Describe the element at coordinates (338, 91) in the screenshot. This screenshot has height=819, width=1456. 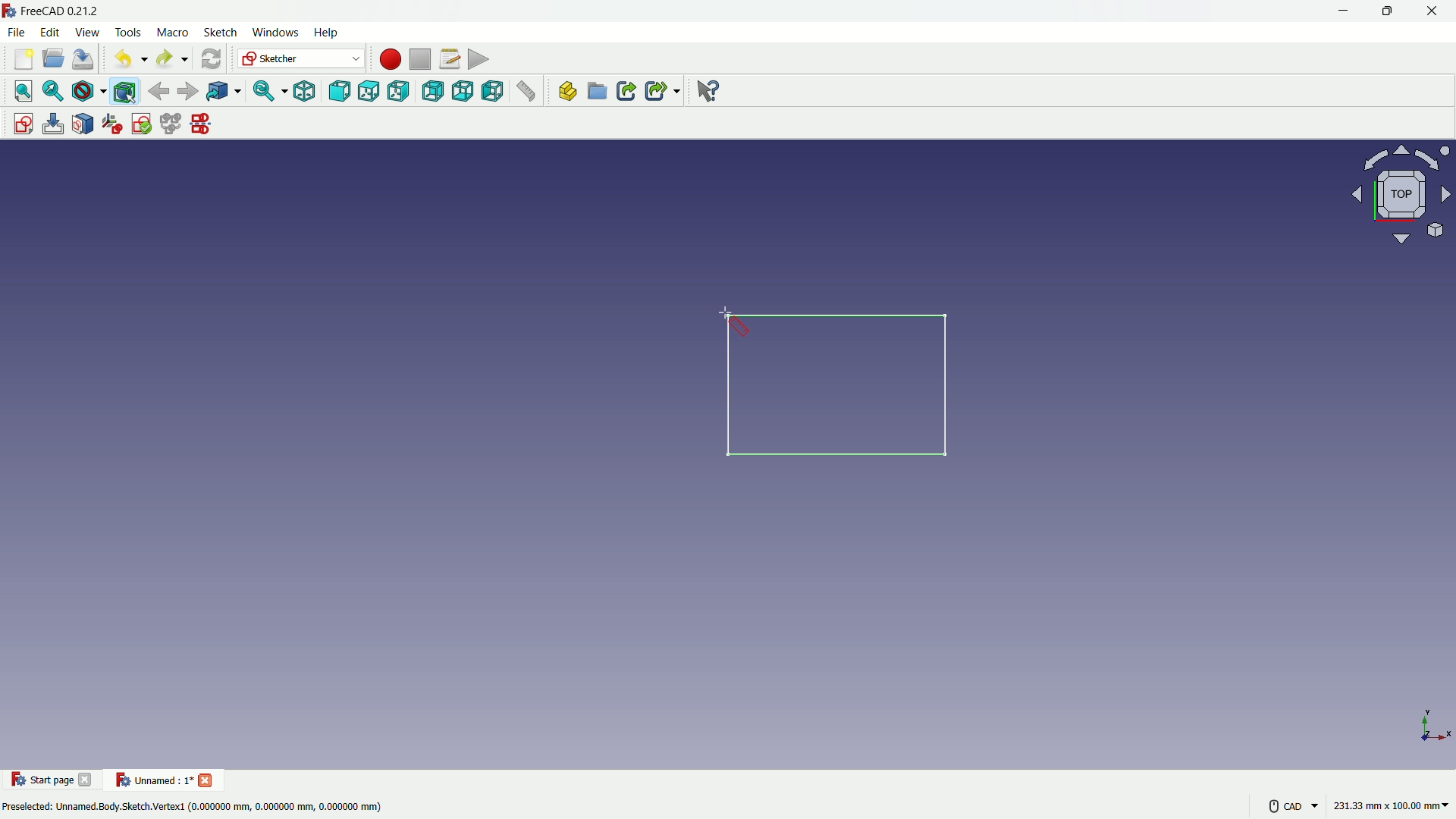
I see `front view` at that location.